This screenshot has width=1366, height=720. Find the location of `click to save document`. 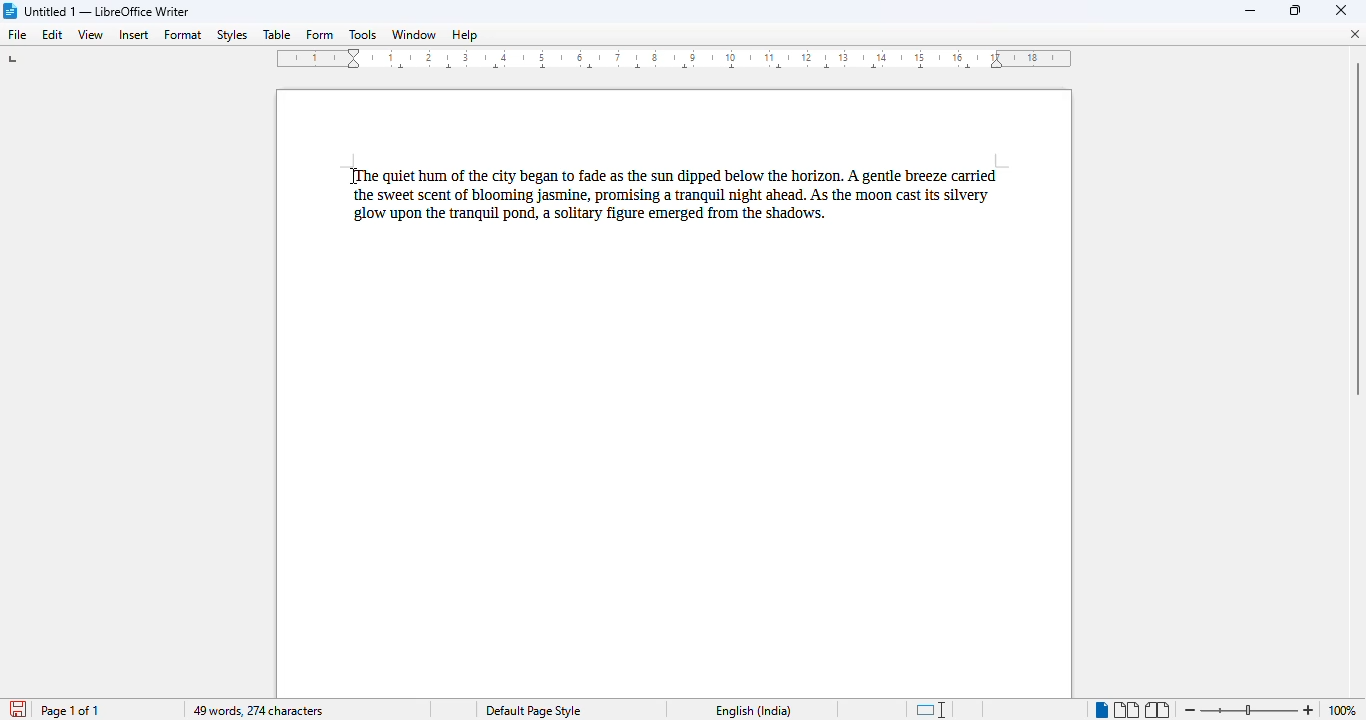

click to save document is located at coordinates (18, 709).